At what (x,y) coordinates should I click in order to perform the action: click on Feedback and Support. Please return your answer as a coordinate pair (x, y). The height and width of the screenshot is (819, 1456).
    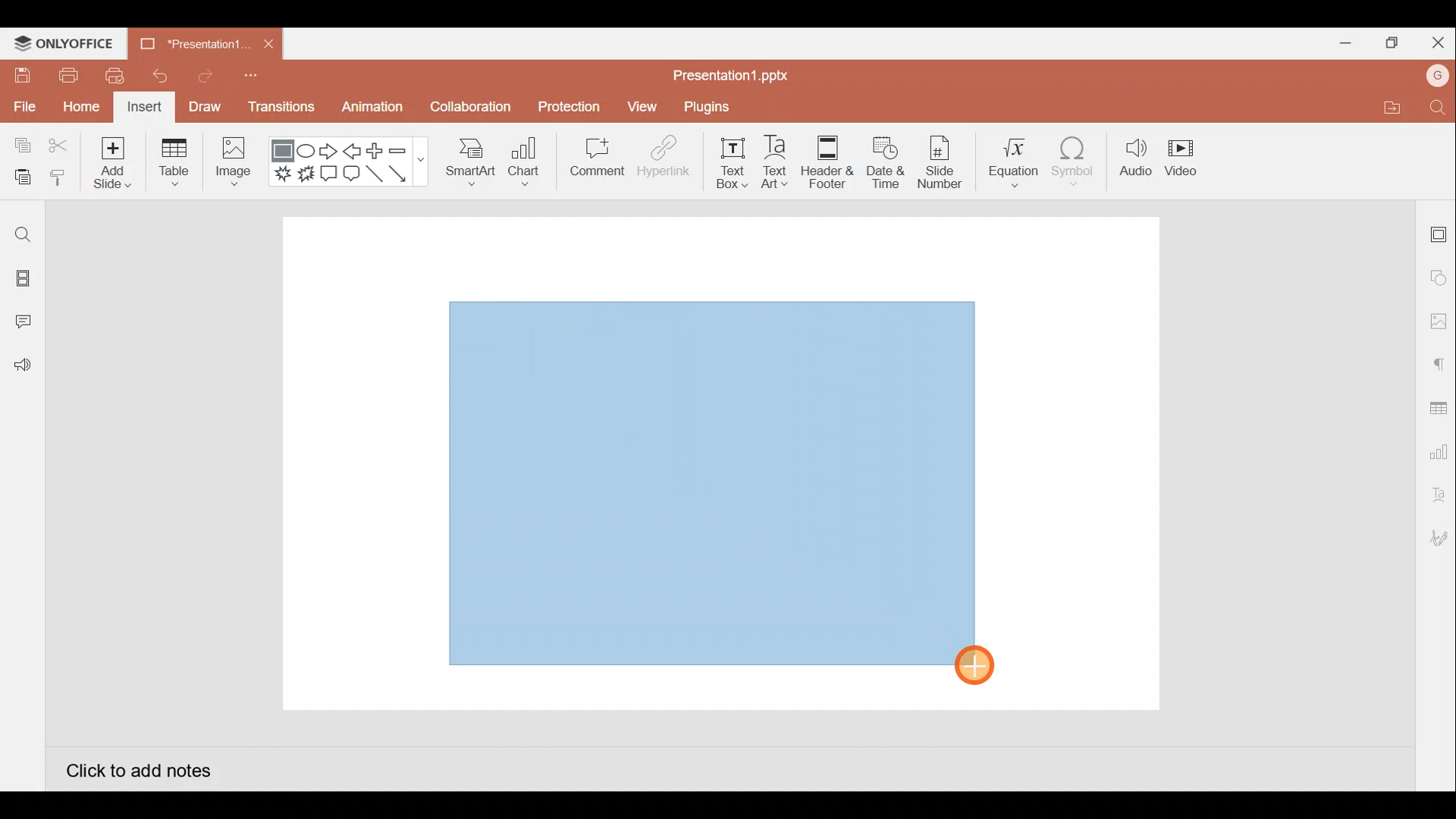
    Looking at the image, I should click on (22, 369).